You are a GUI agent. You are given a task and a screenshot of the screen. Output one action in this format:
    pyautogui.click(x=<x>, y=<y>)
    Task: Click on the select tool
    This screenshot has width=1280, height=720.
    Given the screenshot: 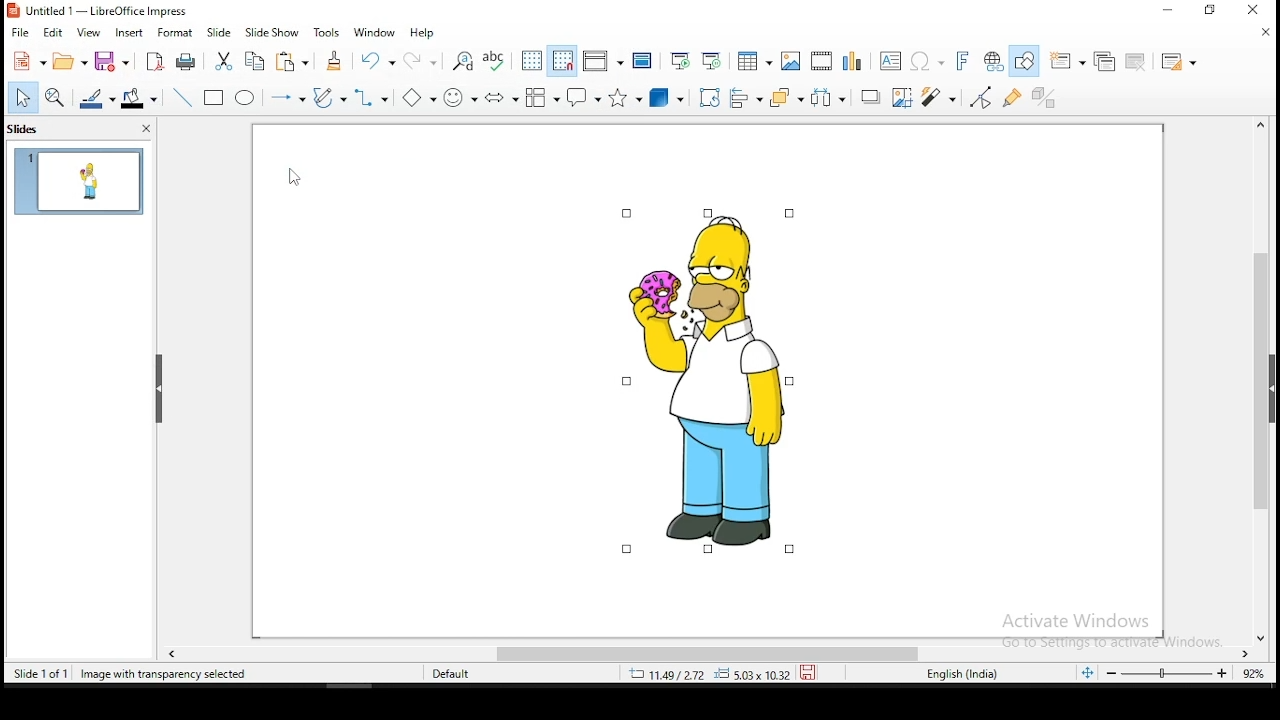 What is the action you would take?
    pyautogui.click(x=23, y=99)
    